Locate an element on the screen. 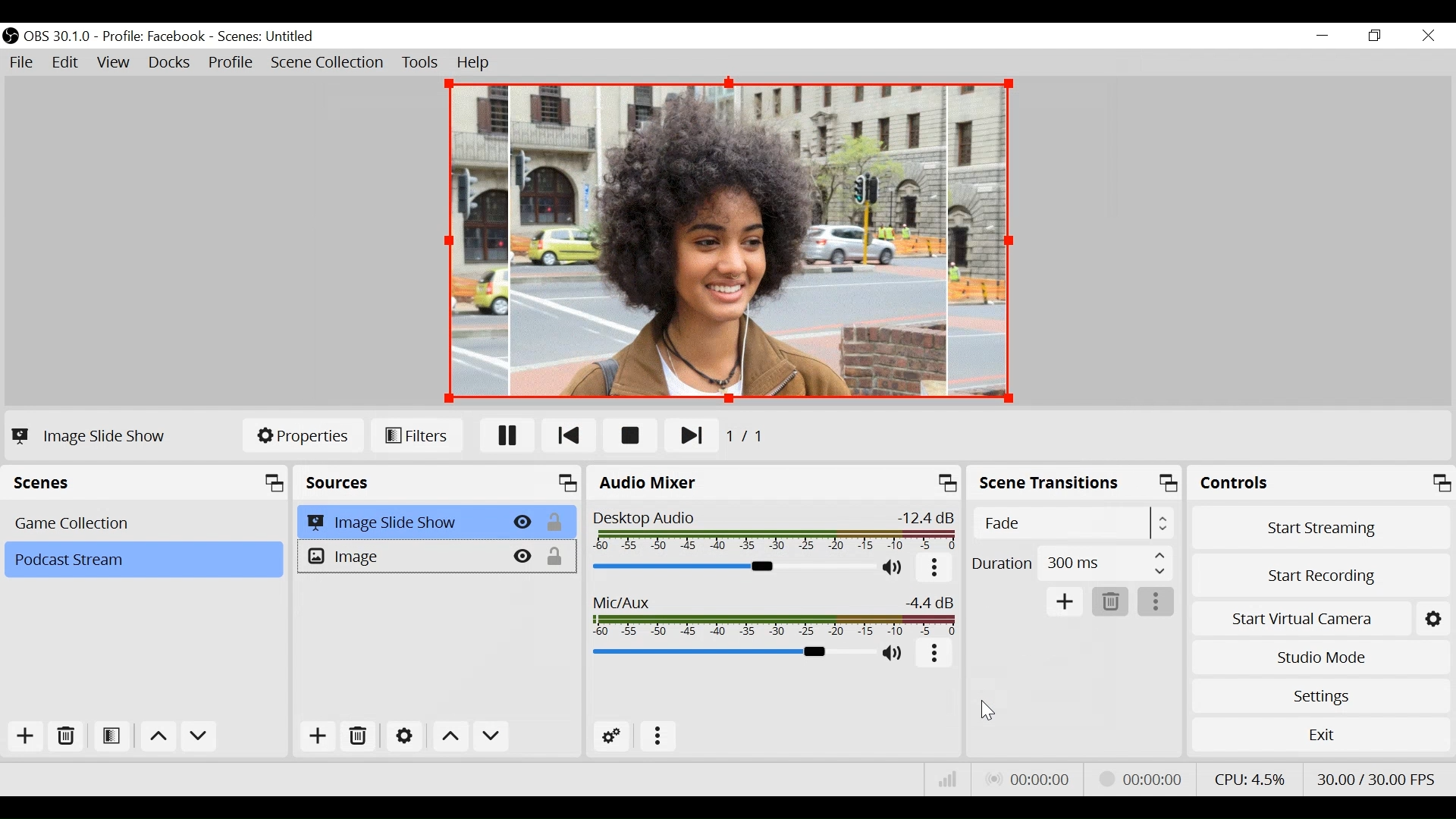  Open Scene Filter is located at coordinates (115, 737).